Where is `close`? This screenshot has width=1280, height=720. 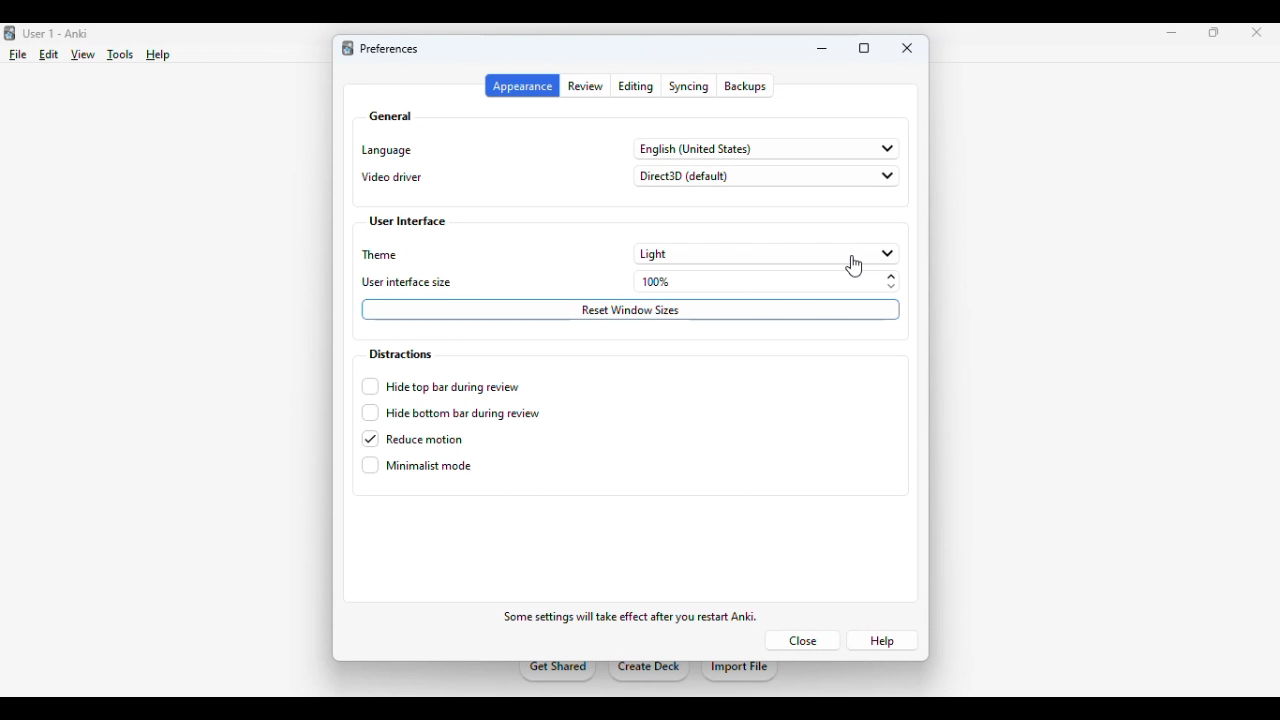
close is located at coordinates (908, 48).